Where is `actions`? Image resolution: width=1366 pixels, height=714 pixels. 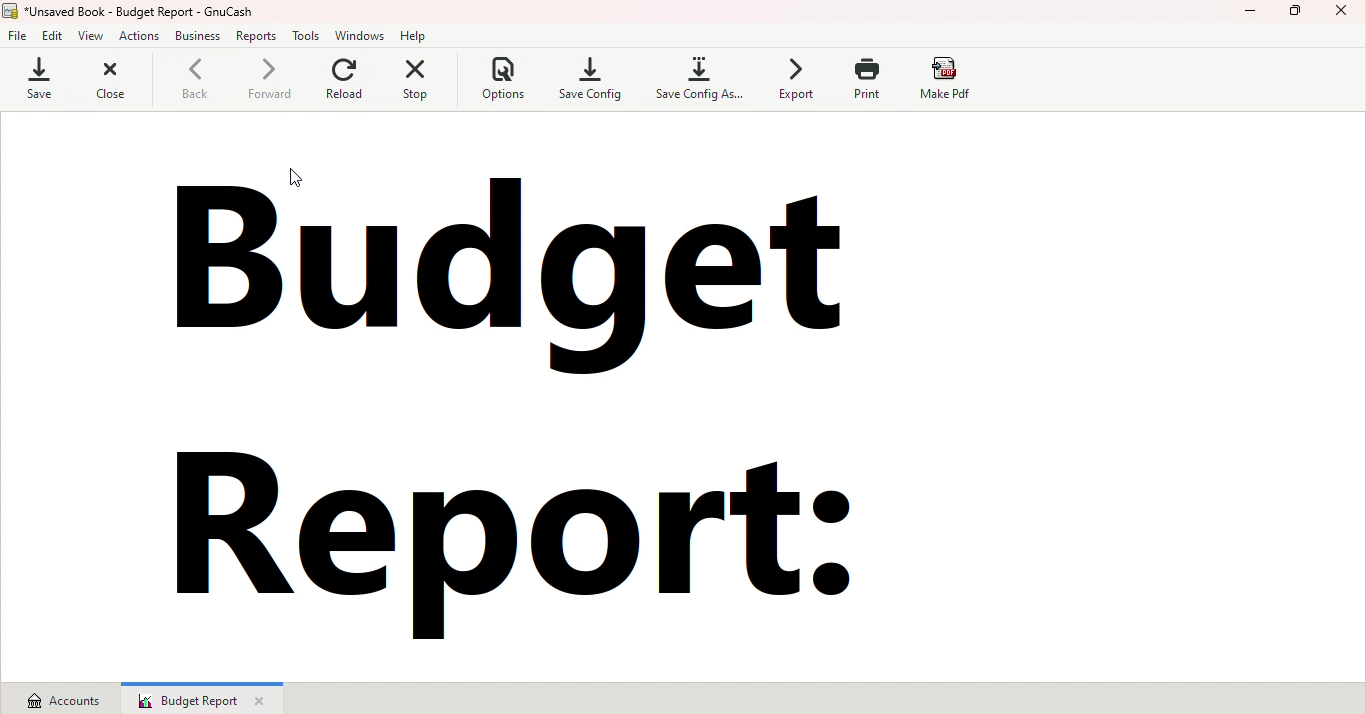 actions is located at coordinates (144, 37).